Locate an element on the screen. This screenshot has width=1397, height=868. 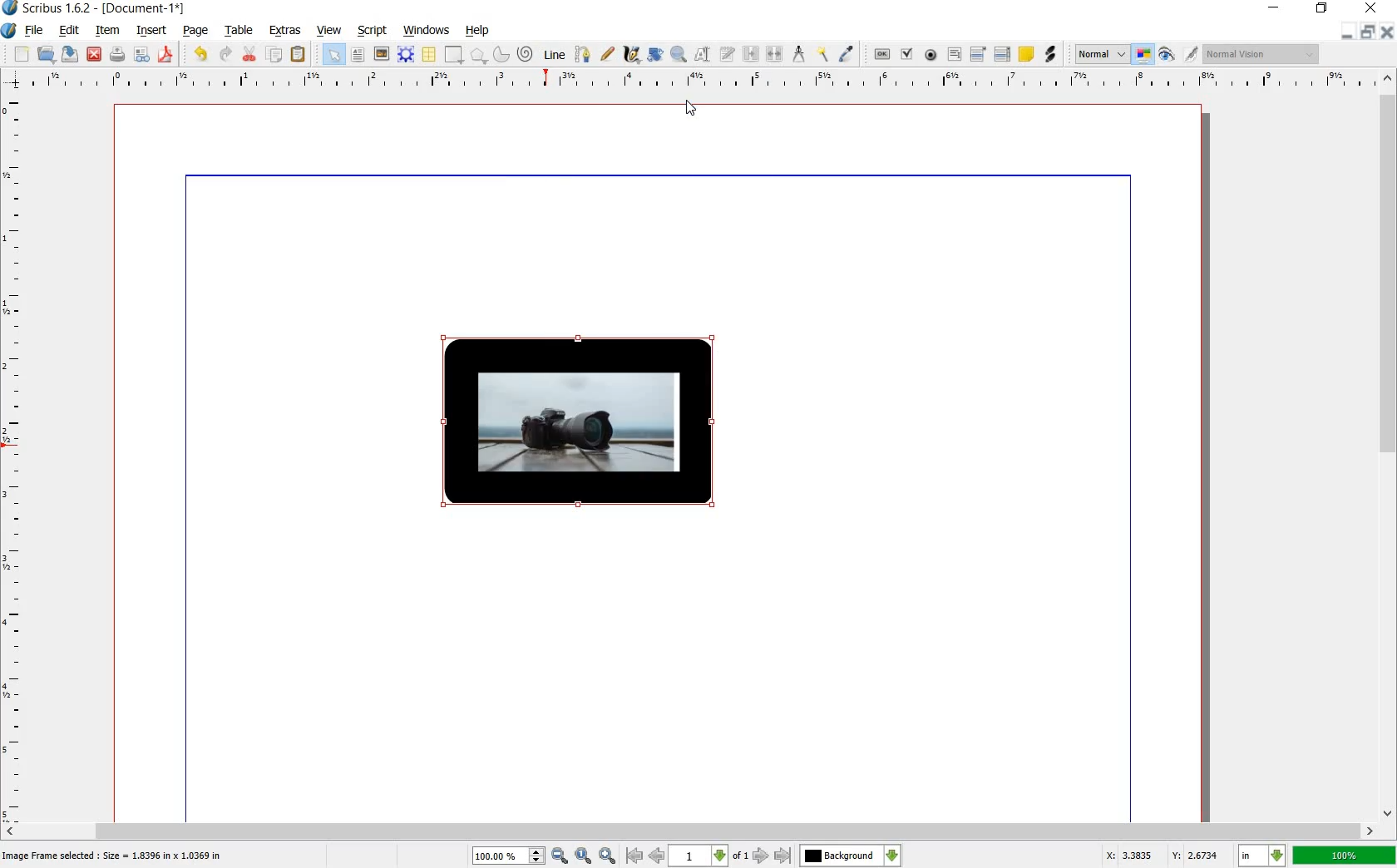
minimize is located at coordinates (1345, 32).